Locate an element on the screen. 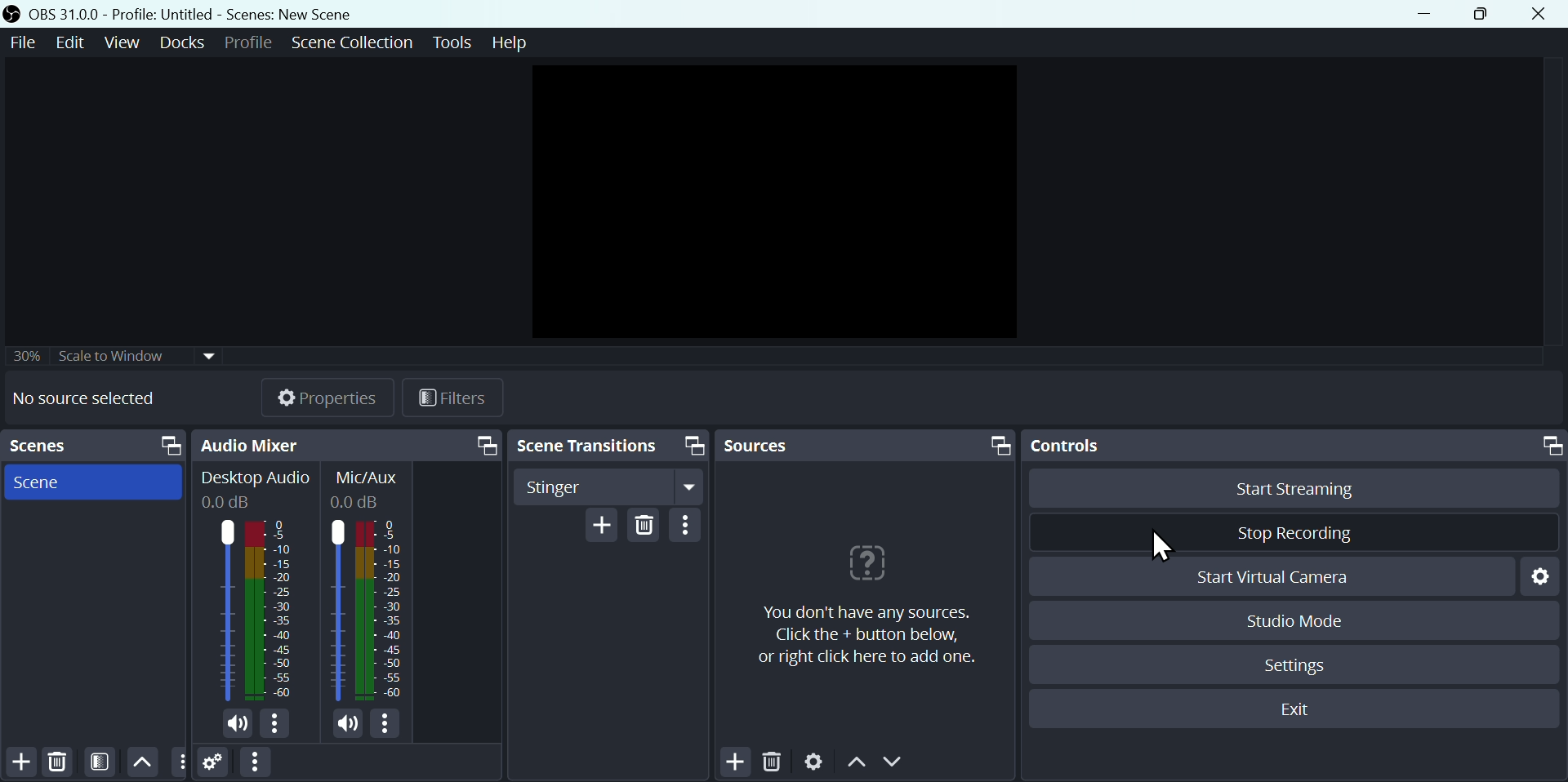  icon is located at coordinates (15, 14).